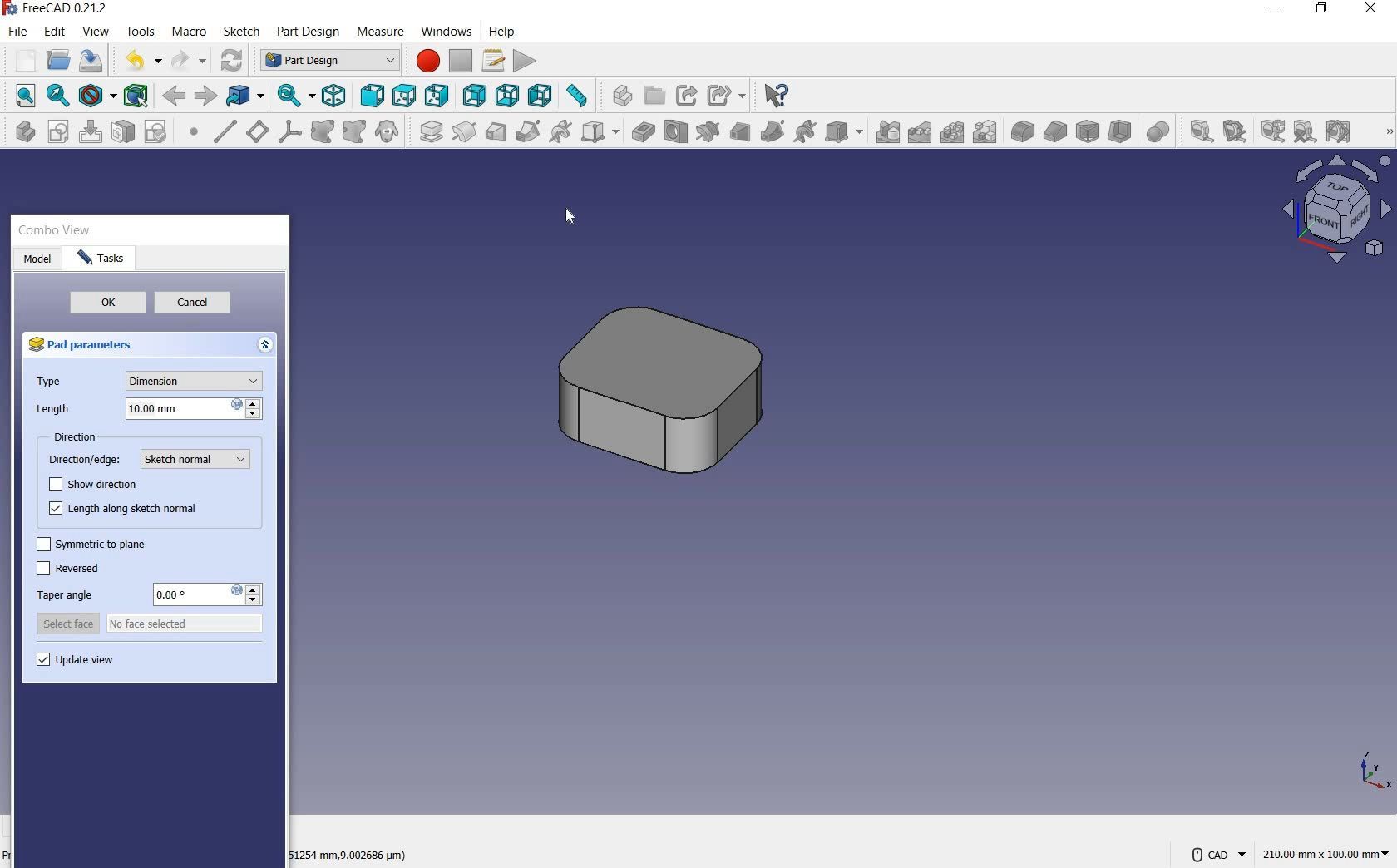 Image resolution: width=1397 pixels, height=868 pixels. I want to click on map sketch to face, so click(123, 133).